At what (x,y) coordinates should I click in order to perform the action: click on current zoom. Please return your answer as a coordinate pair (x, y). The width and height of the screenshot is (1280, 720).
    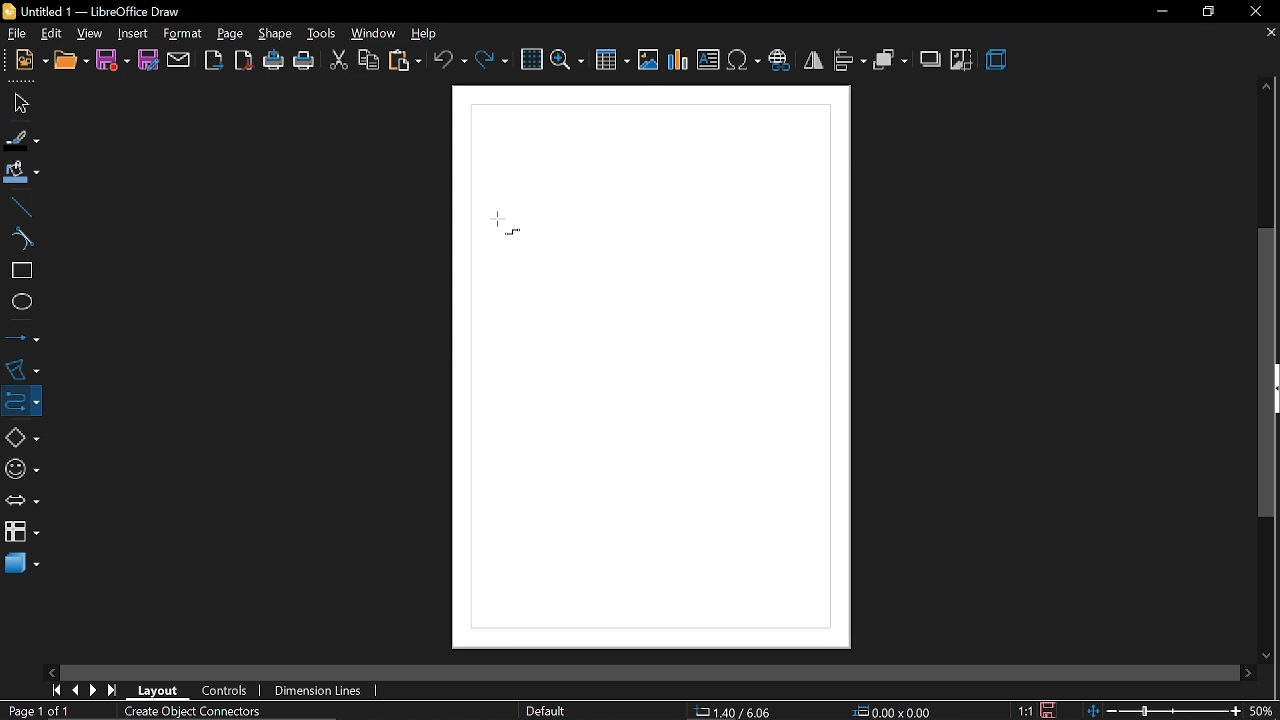
    Looking at the image, I should click on (1264, 711).